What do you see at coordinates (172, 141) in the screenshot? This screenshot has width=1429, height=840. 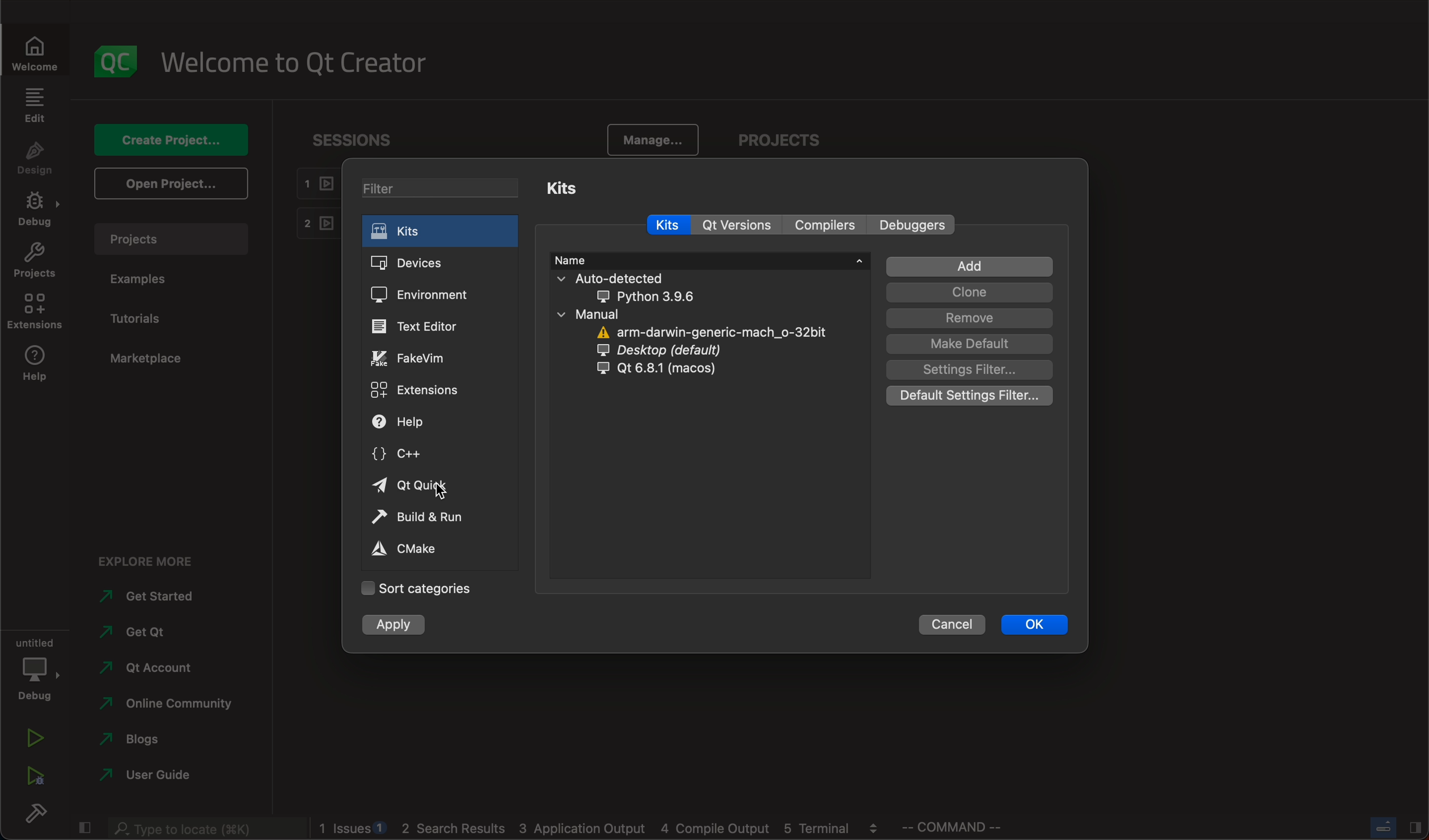 I see `create` at bounding box center [172, 141].